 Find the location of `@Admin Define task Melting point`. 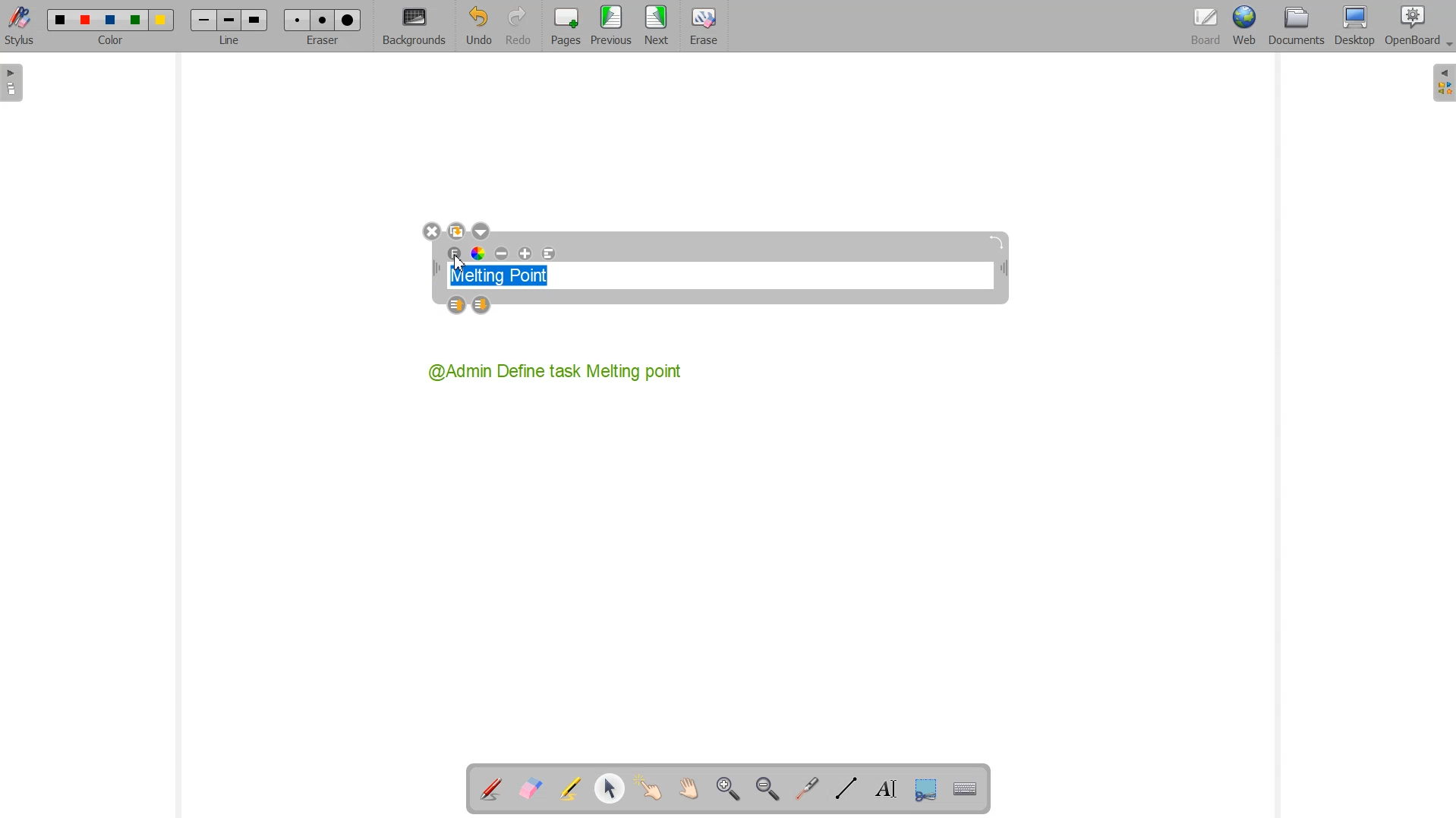

@Admin Define task Melting point is located at coordinates (557, 371).